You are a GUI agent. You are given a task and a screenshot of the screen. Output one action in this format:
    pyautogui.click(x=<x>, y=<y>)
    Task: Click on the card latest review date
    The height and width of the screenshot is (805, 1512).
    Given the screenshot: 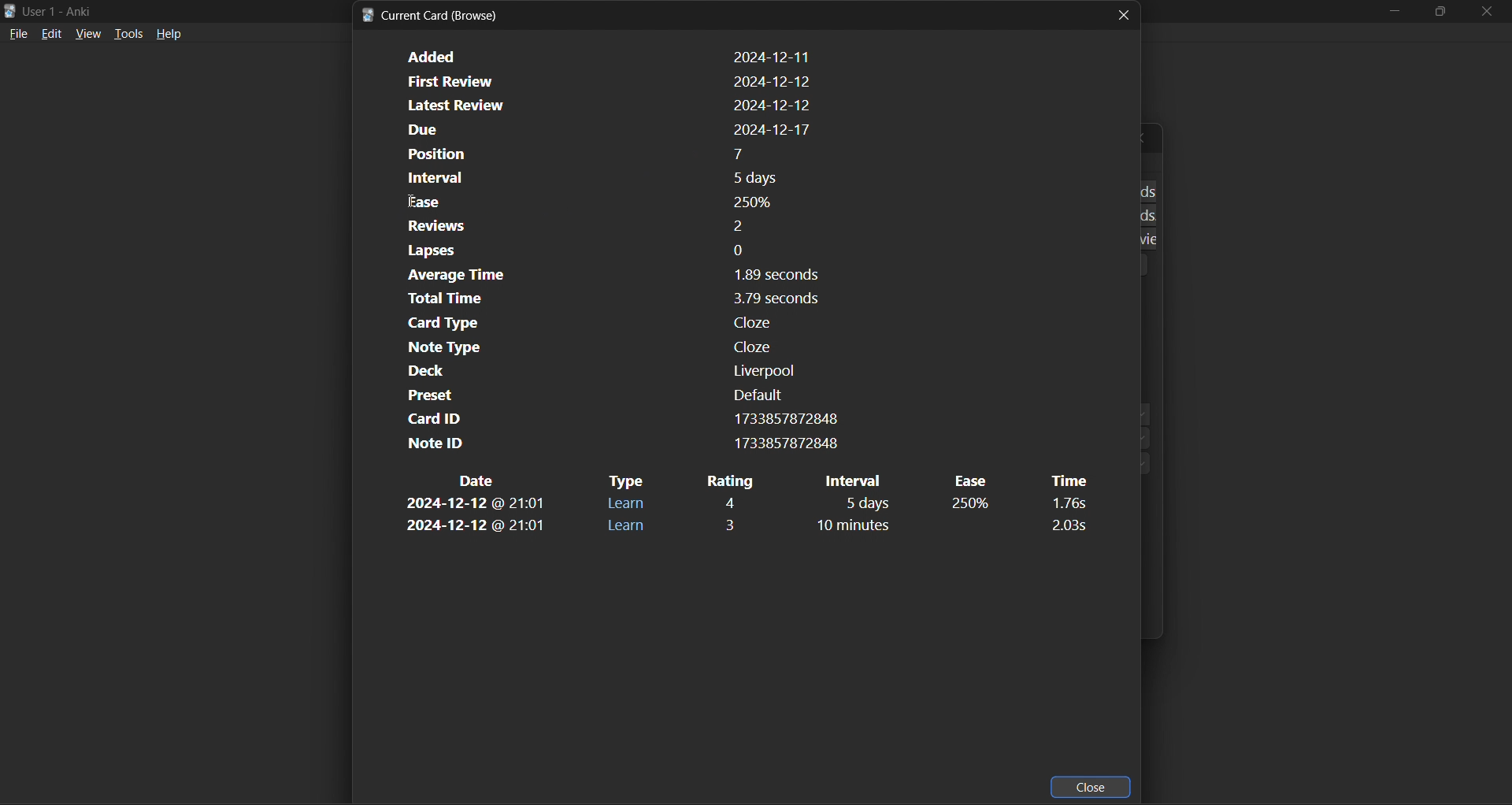 What is the action you would take?
    pyautogui.click(x=603, y=106)
    